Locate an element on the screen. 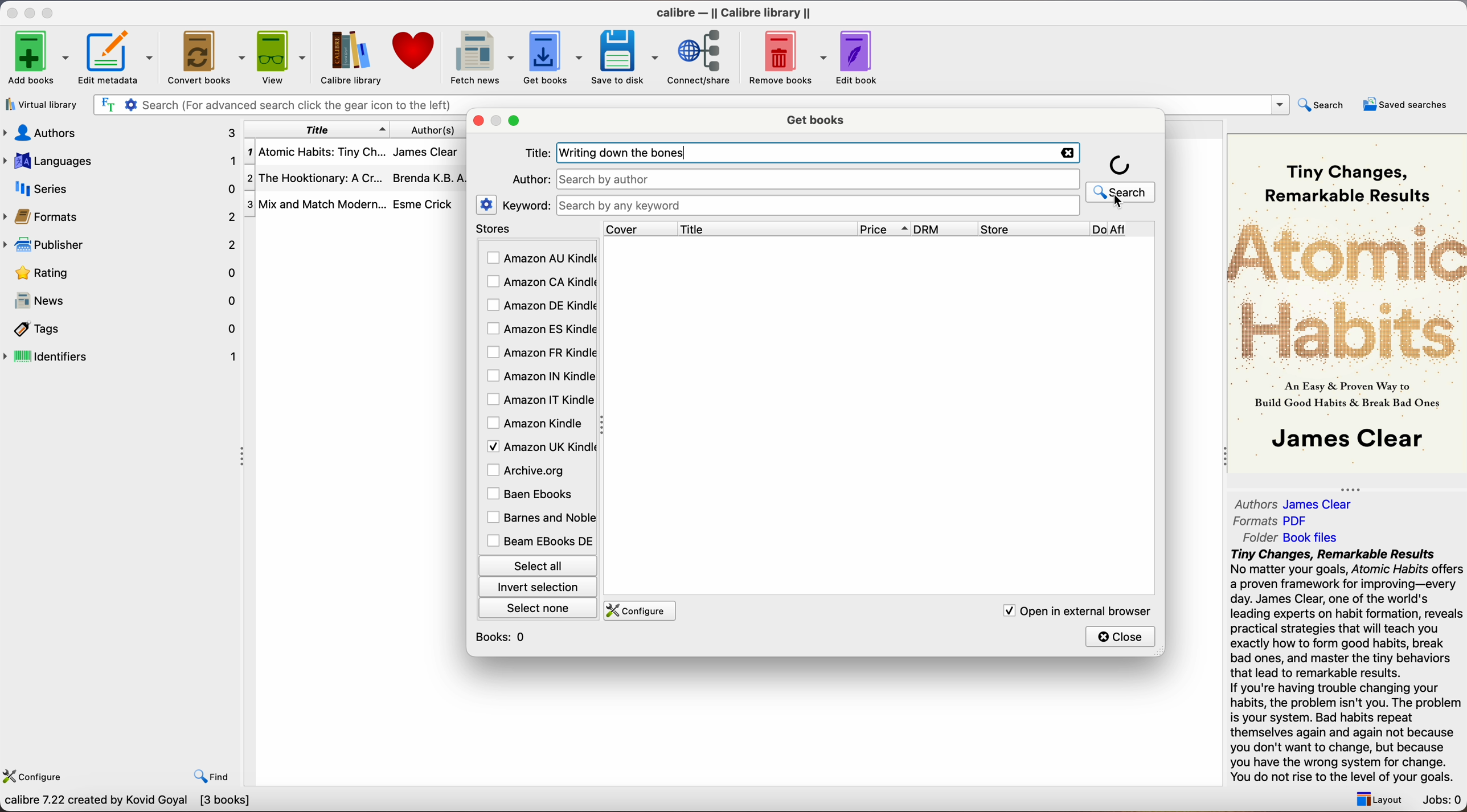 This screenshot has width=1467, height=812. title is located at coordinates (767, 228).